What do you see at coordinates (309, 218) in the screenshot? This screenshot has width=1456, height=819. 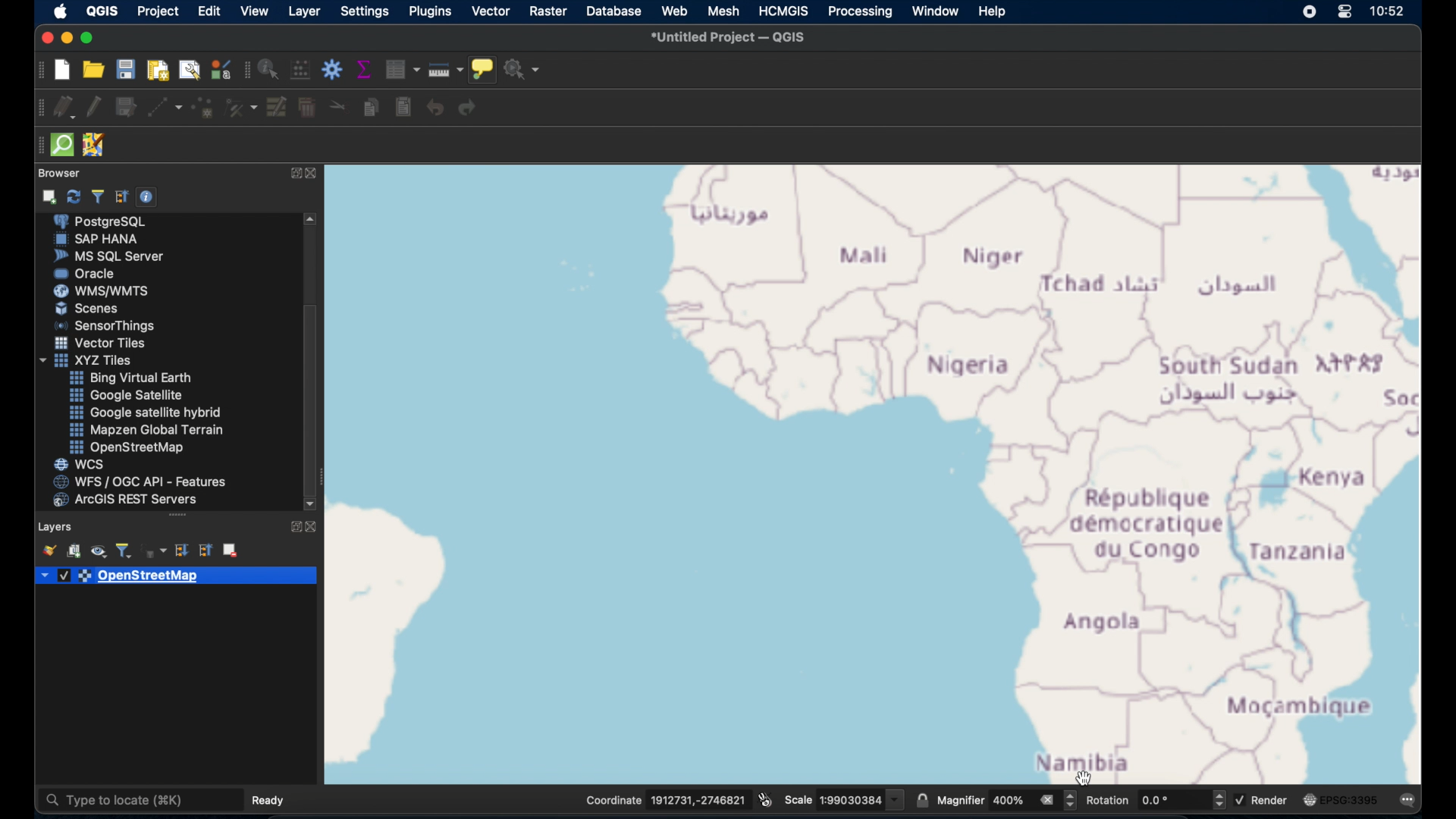 I see `scroll up arrow` at bounding box center [309, 218].